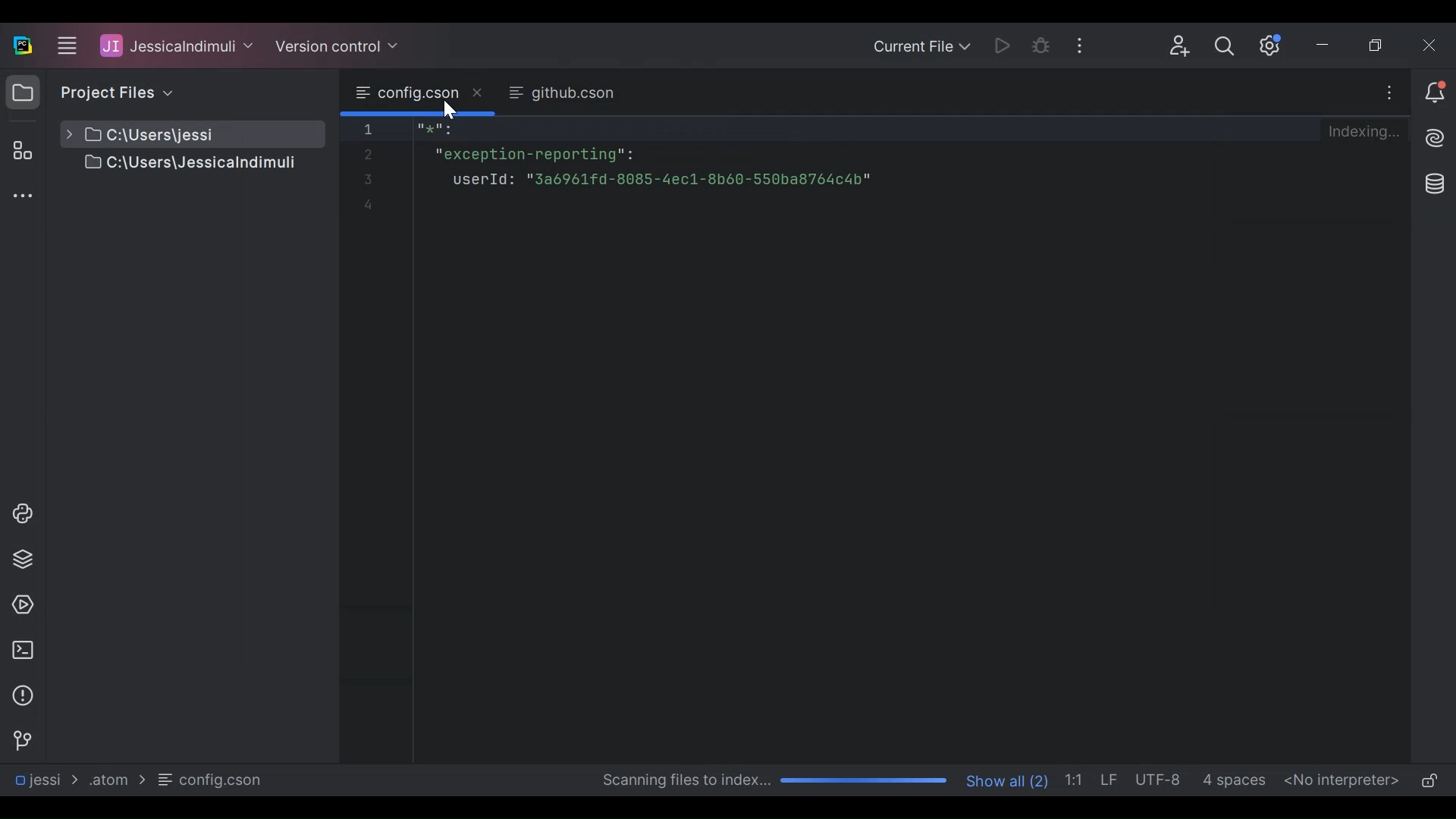 This screenshot has height=819, width=1456. What do you see at coordinates (1379, 45) in the screenshot?
I see `Restore` at bounding box center [1379, 45].